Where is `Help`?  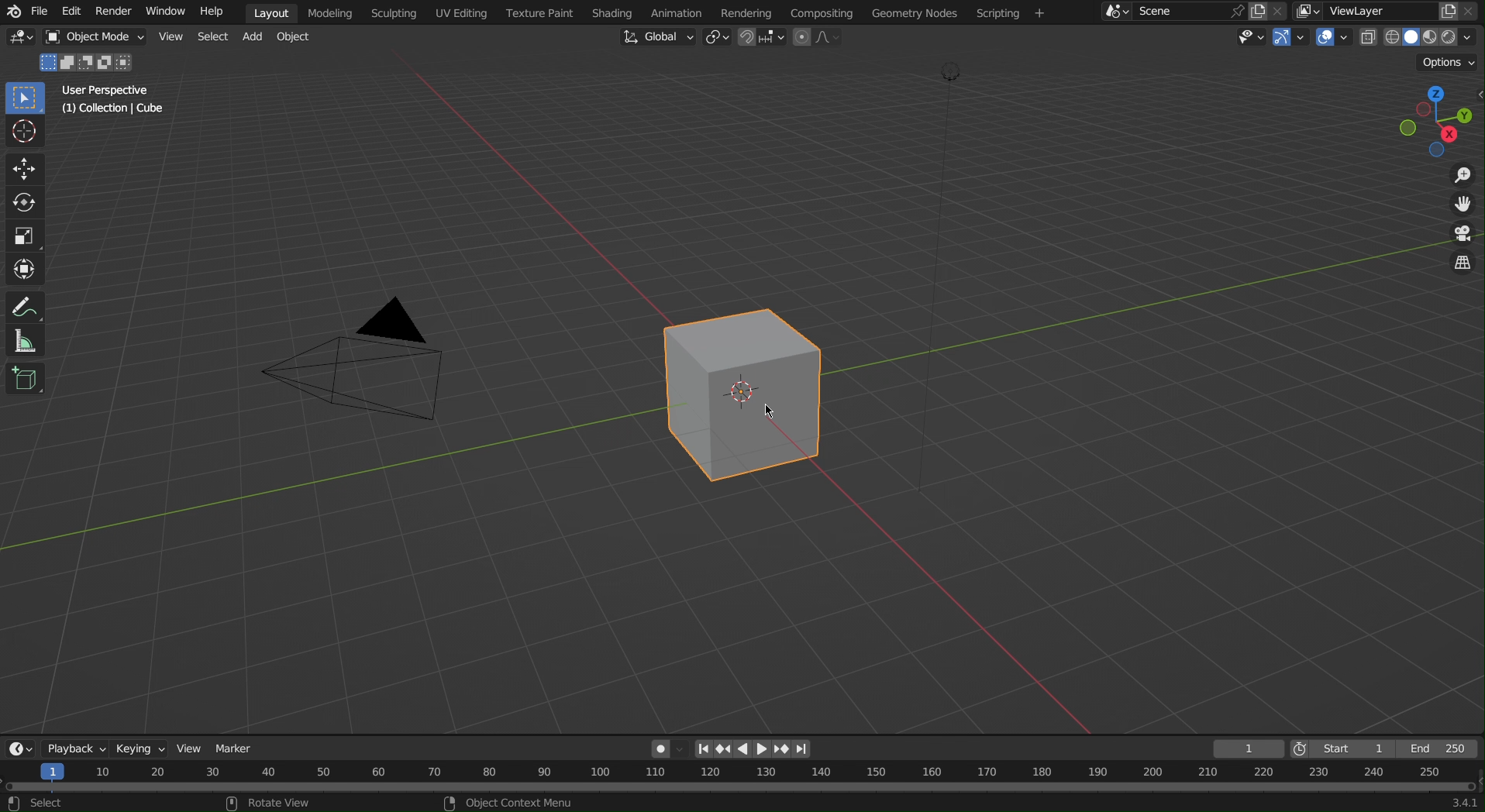 Help is located at coordinates (219, 15).